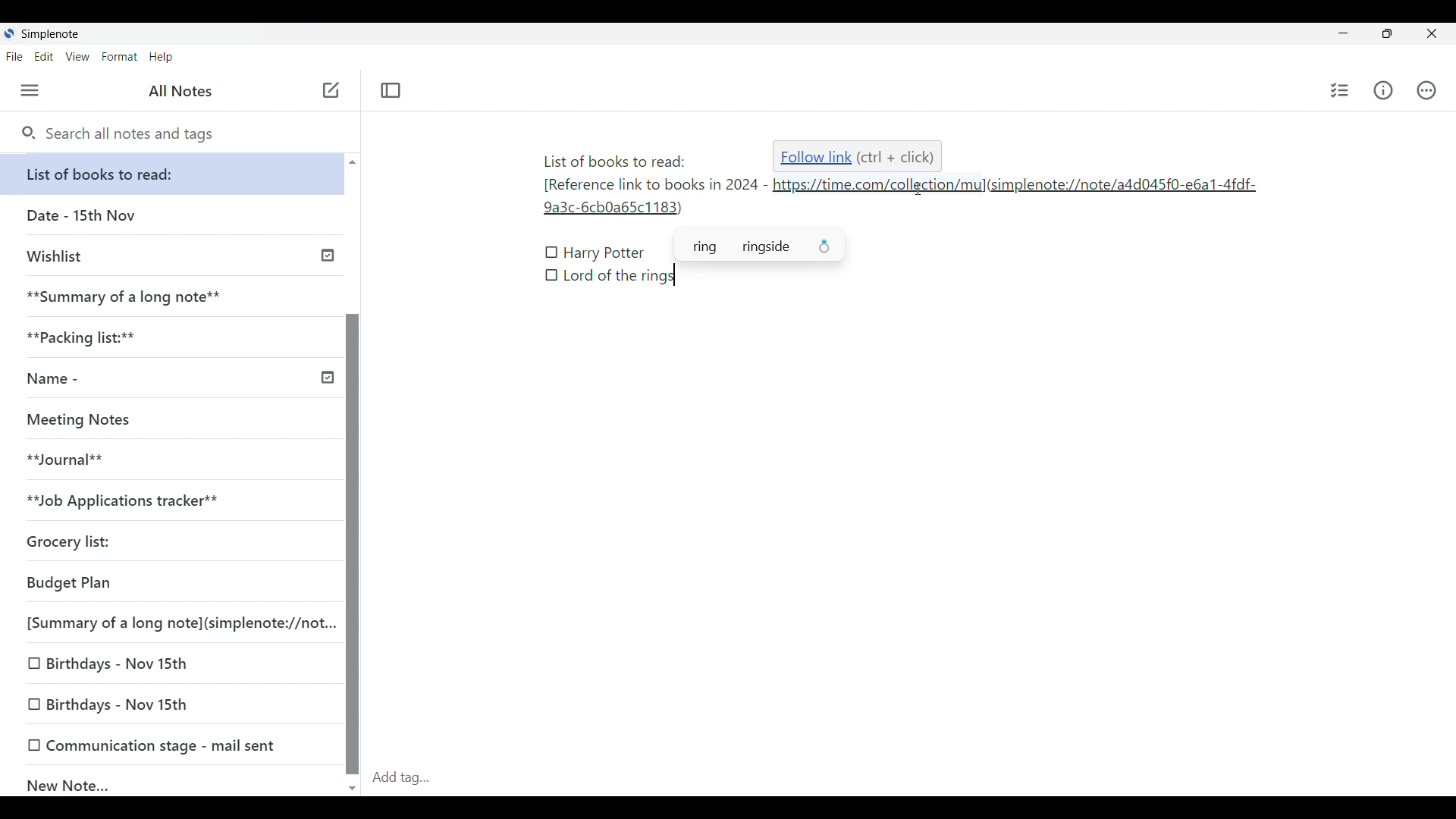 The image size is (1456, 819). What do you see at coordinates (44, 57) in the screenshot?
I see `Edit` at bounding box center [44, 57].